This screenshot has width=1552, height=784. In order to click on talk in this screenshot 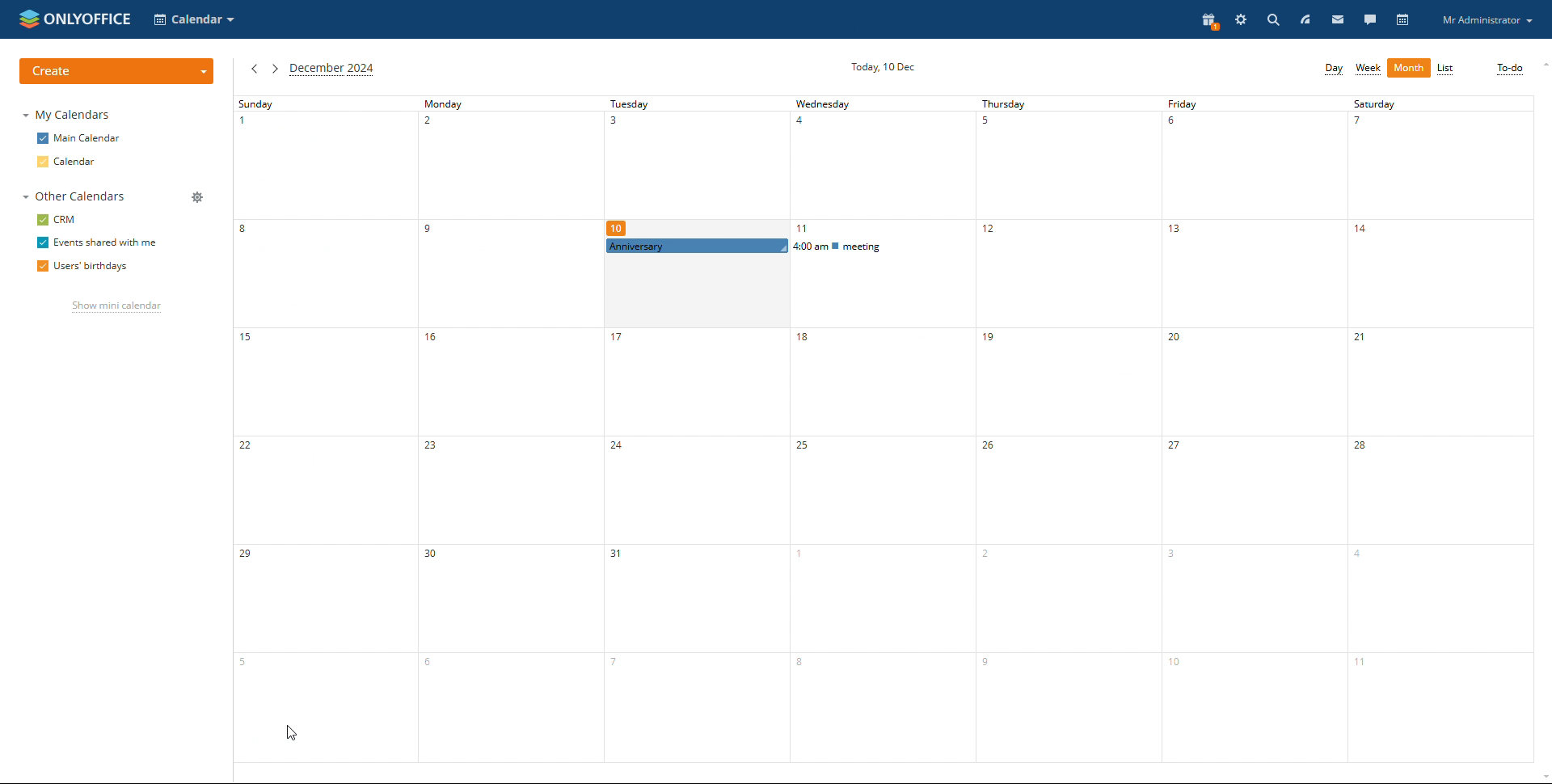, I will do `click(1369, 19)`.